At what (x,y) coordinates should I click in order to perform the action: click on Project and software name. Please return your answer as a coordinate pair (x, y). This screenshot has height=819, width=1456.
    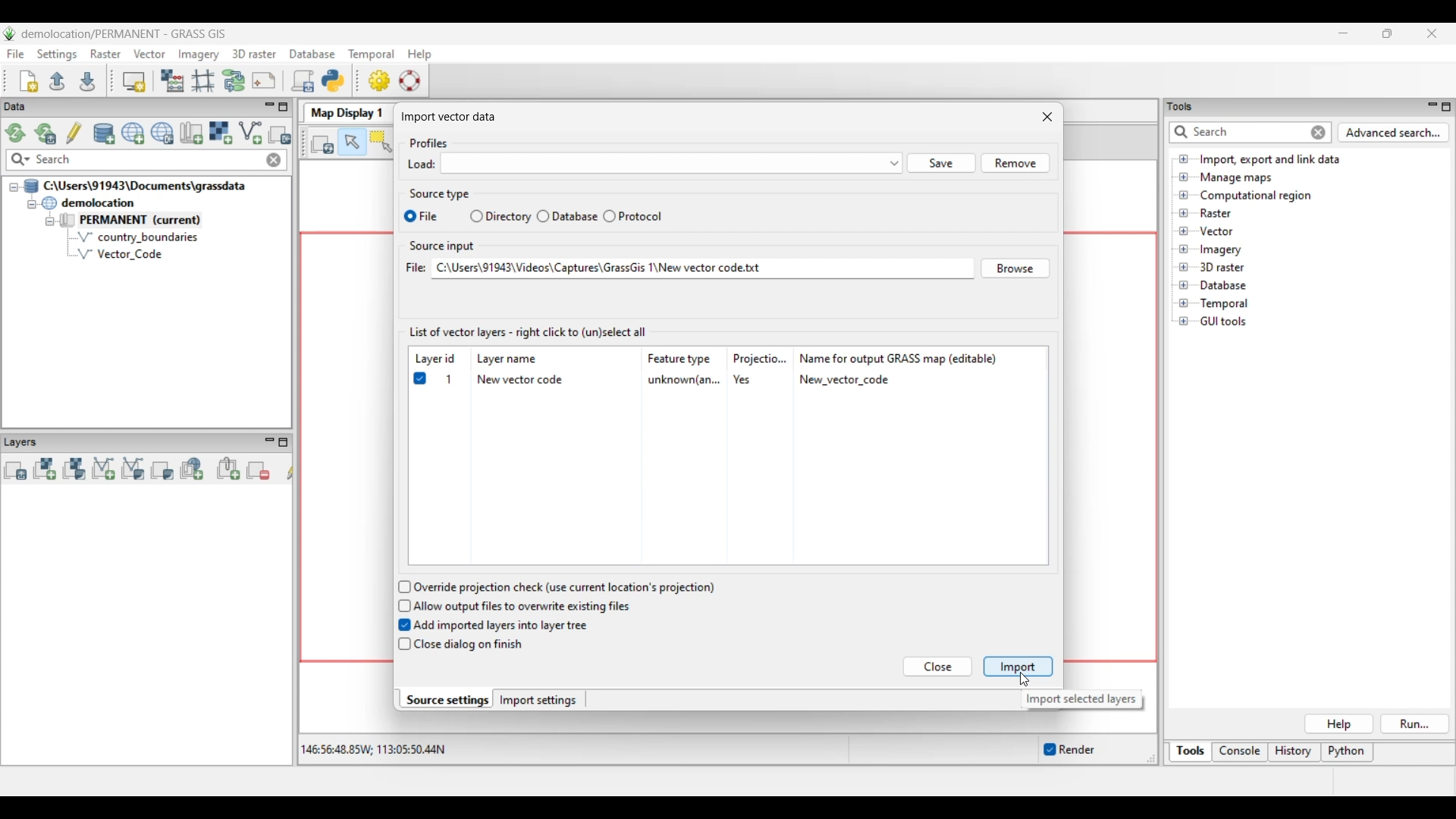
    Looking at the image, I should click on (124, 34).